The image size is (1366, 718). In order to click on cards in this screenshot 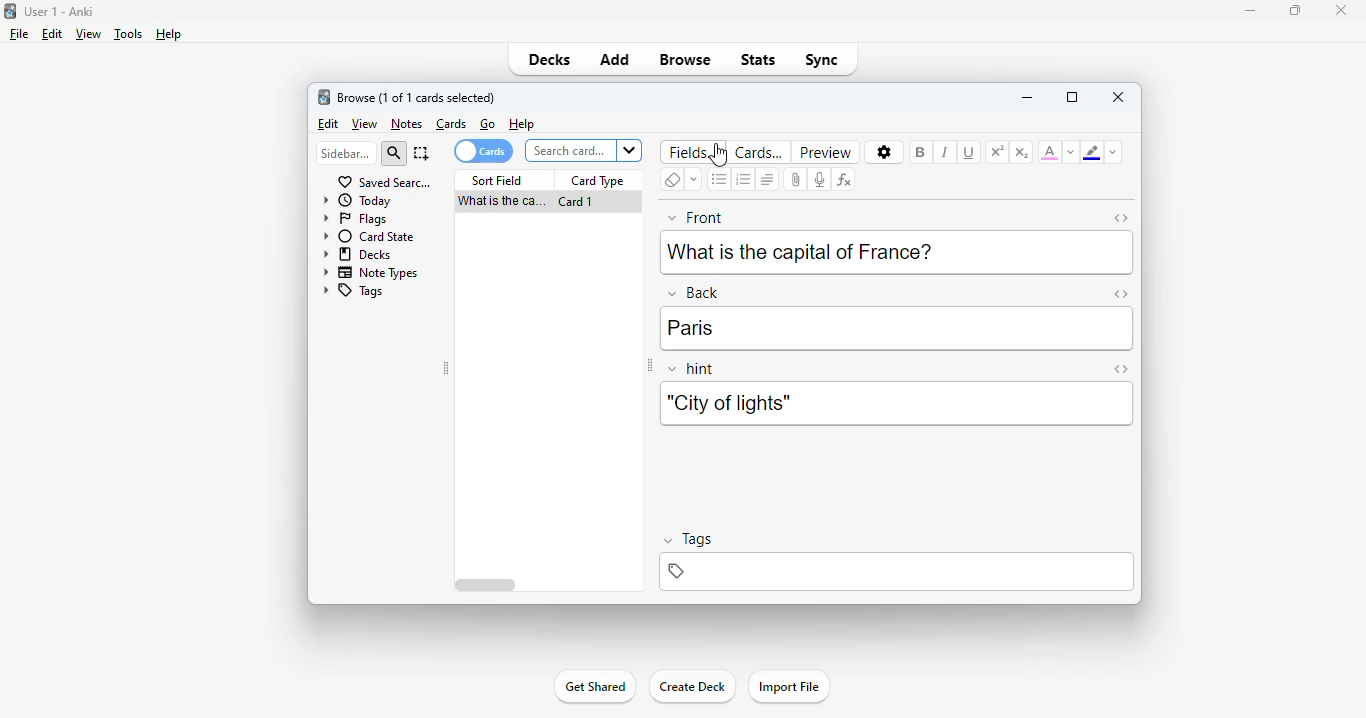, I will do `click(452, 124)`.